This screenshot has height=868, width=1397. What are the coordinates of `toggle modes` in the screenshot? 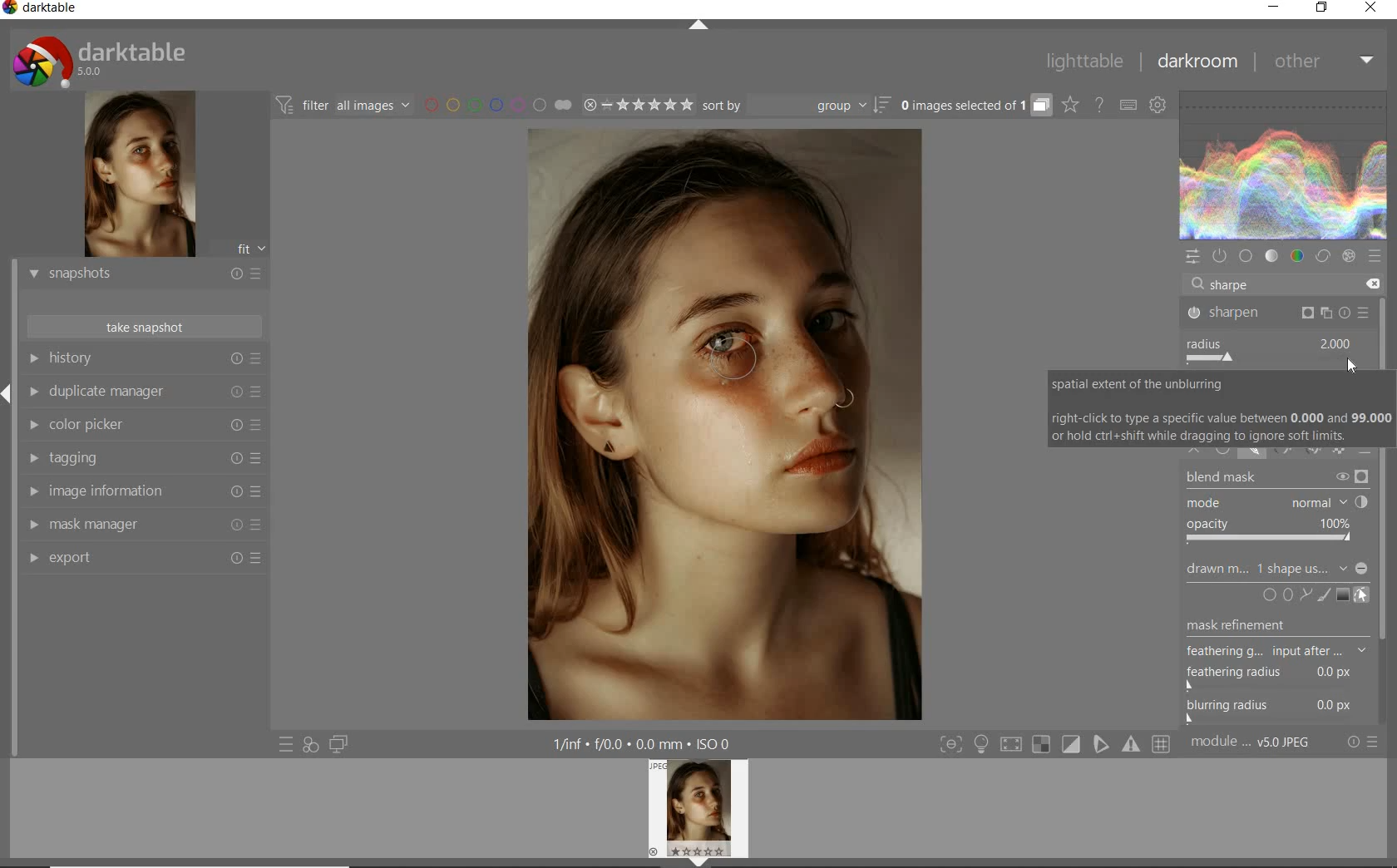 It's located at (1055, 744).